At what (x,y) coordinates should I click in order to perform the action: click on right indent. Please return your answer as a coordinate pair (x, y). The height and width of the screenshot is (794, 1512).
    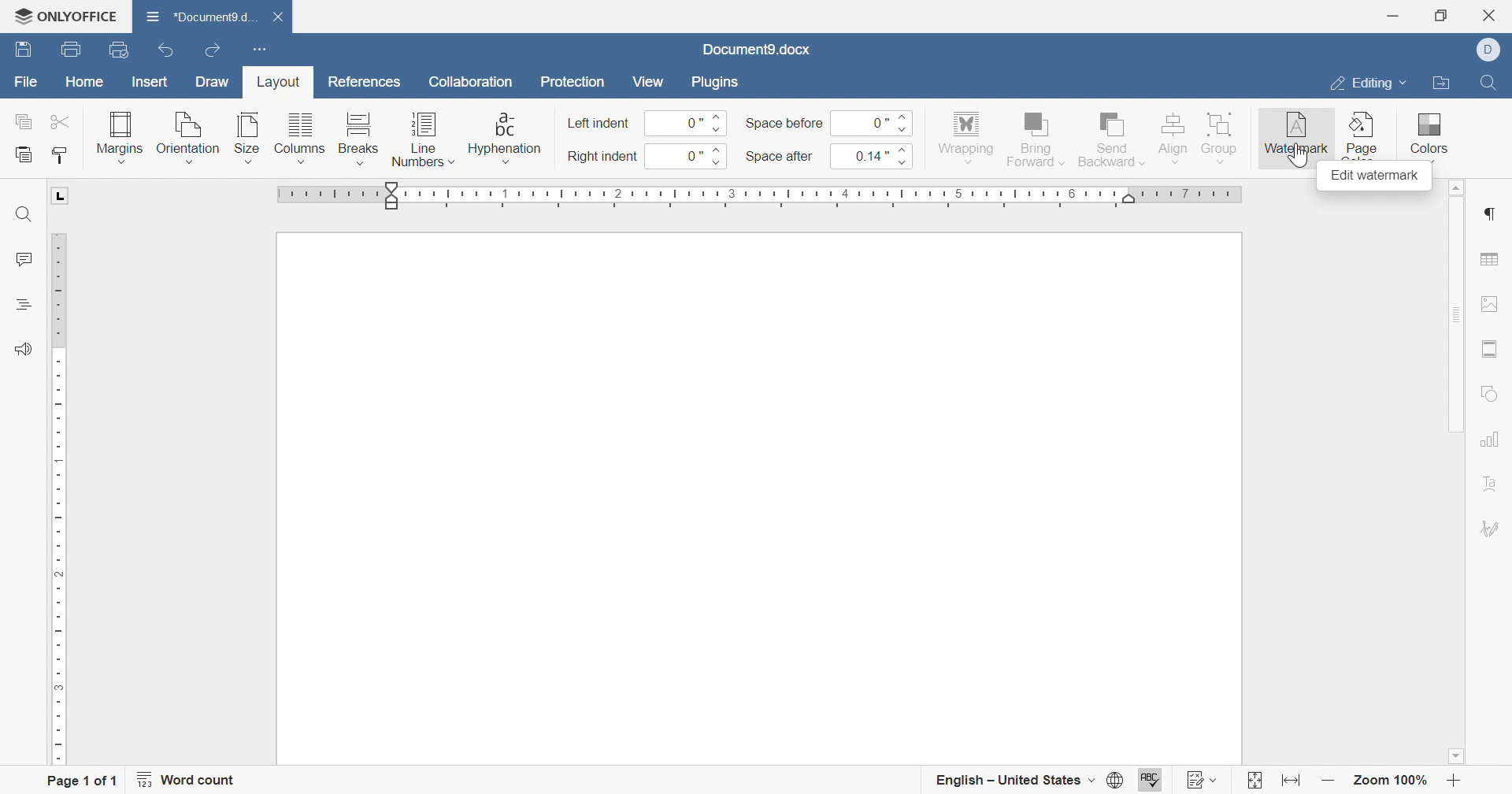
    Looking at the image, I should click on (602, 158).